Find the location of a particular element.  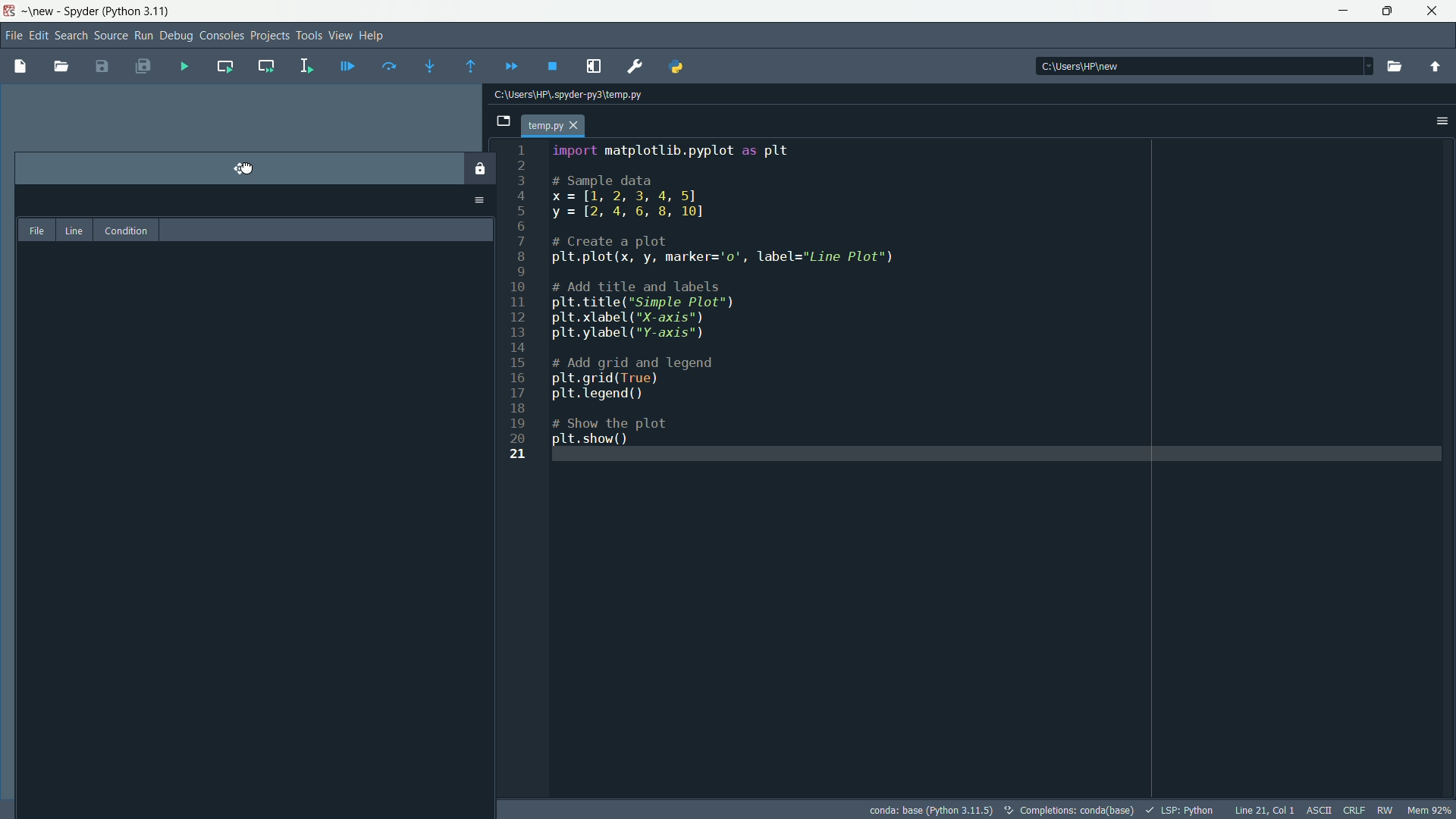

temp.py is located at coordinates (558, 127).